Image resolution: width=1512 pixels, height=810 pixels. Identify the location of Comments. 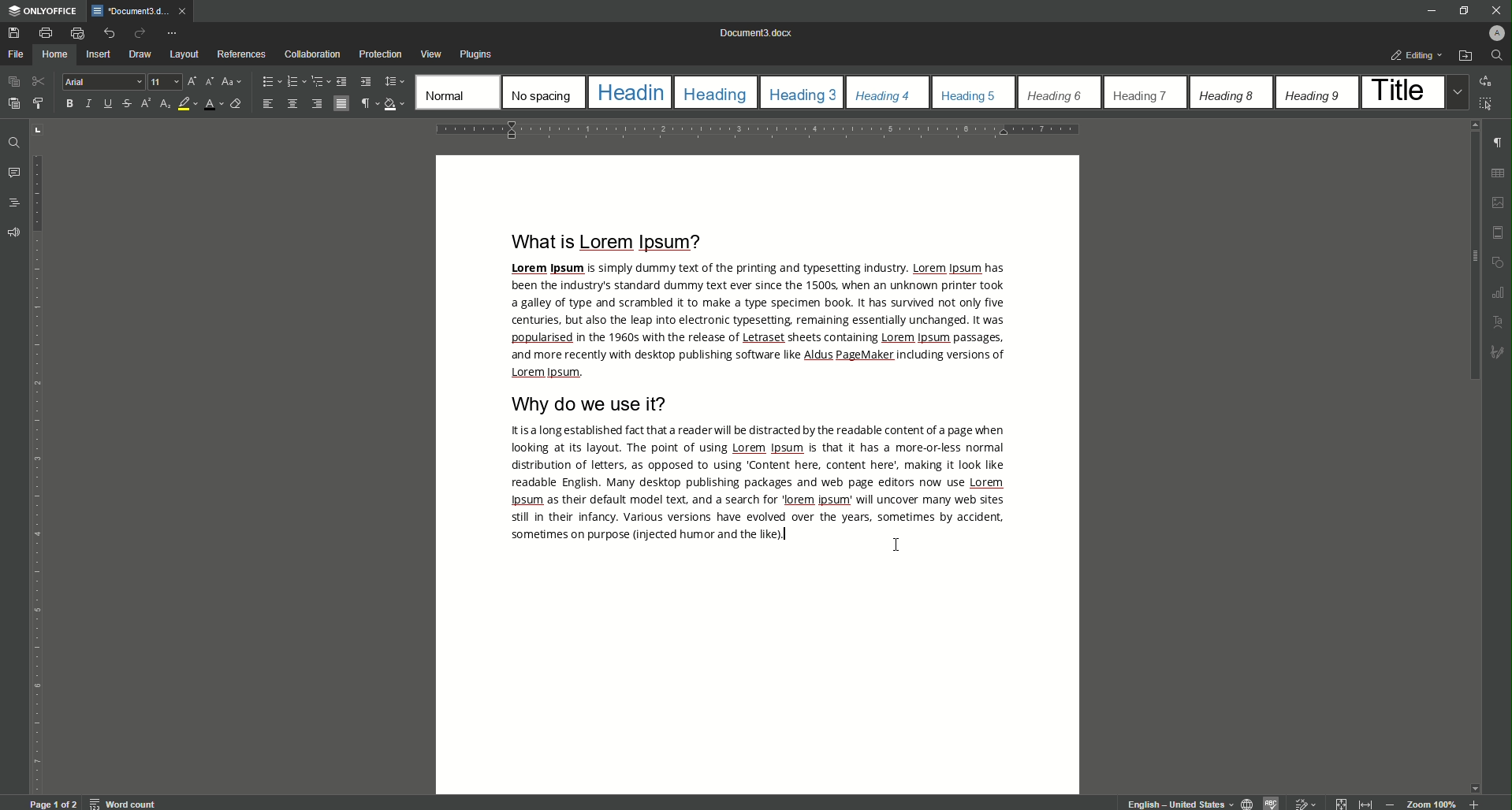
(17, 172).